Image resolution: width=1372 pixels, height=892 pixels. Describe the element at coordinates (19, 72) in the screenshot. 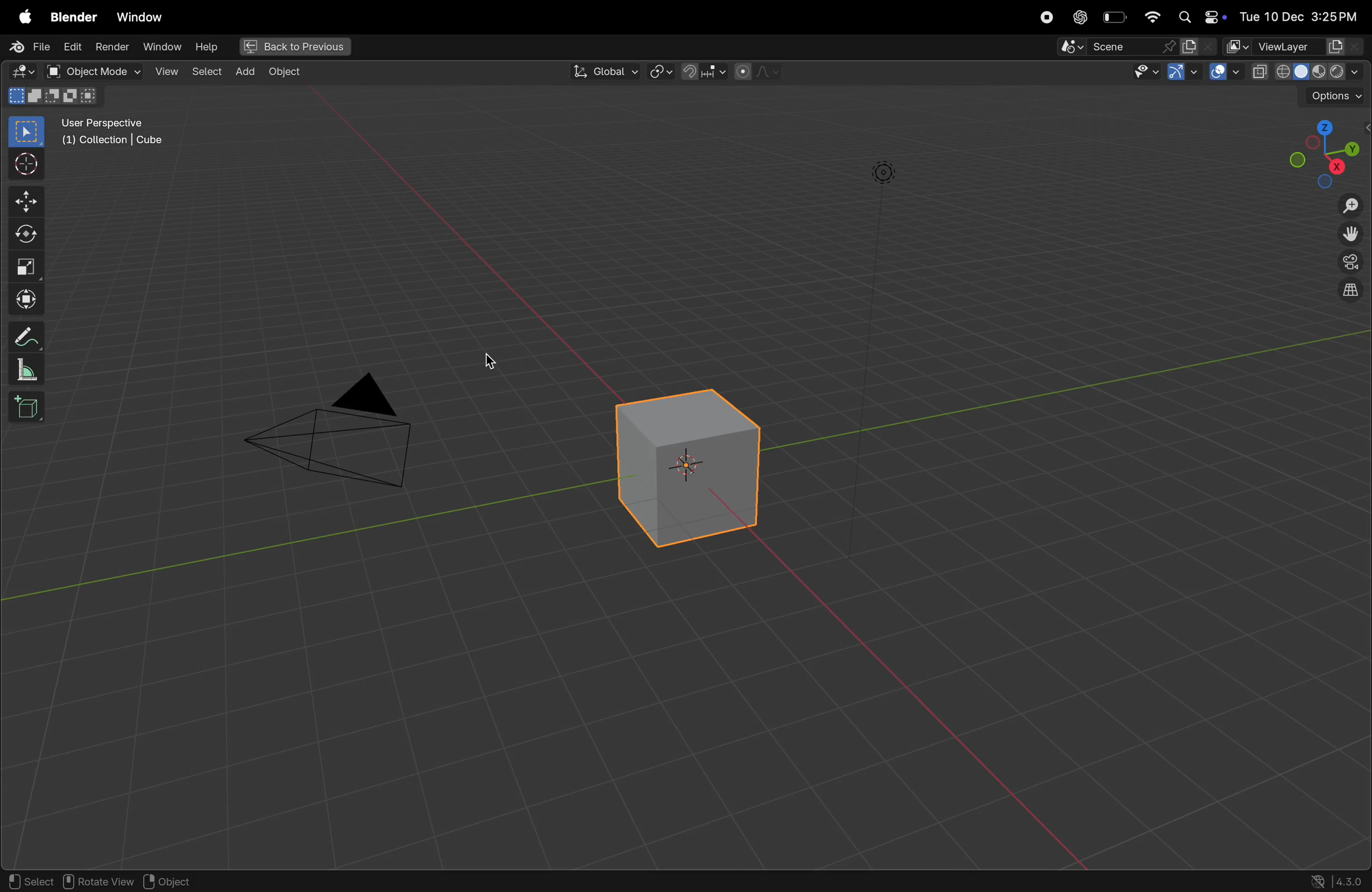

I see `editor type` at that location.